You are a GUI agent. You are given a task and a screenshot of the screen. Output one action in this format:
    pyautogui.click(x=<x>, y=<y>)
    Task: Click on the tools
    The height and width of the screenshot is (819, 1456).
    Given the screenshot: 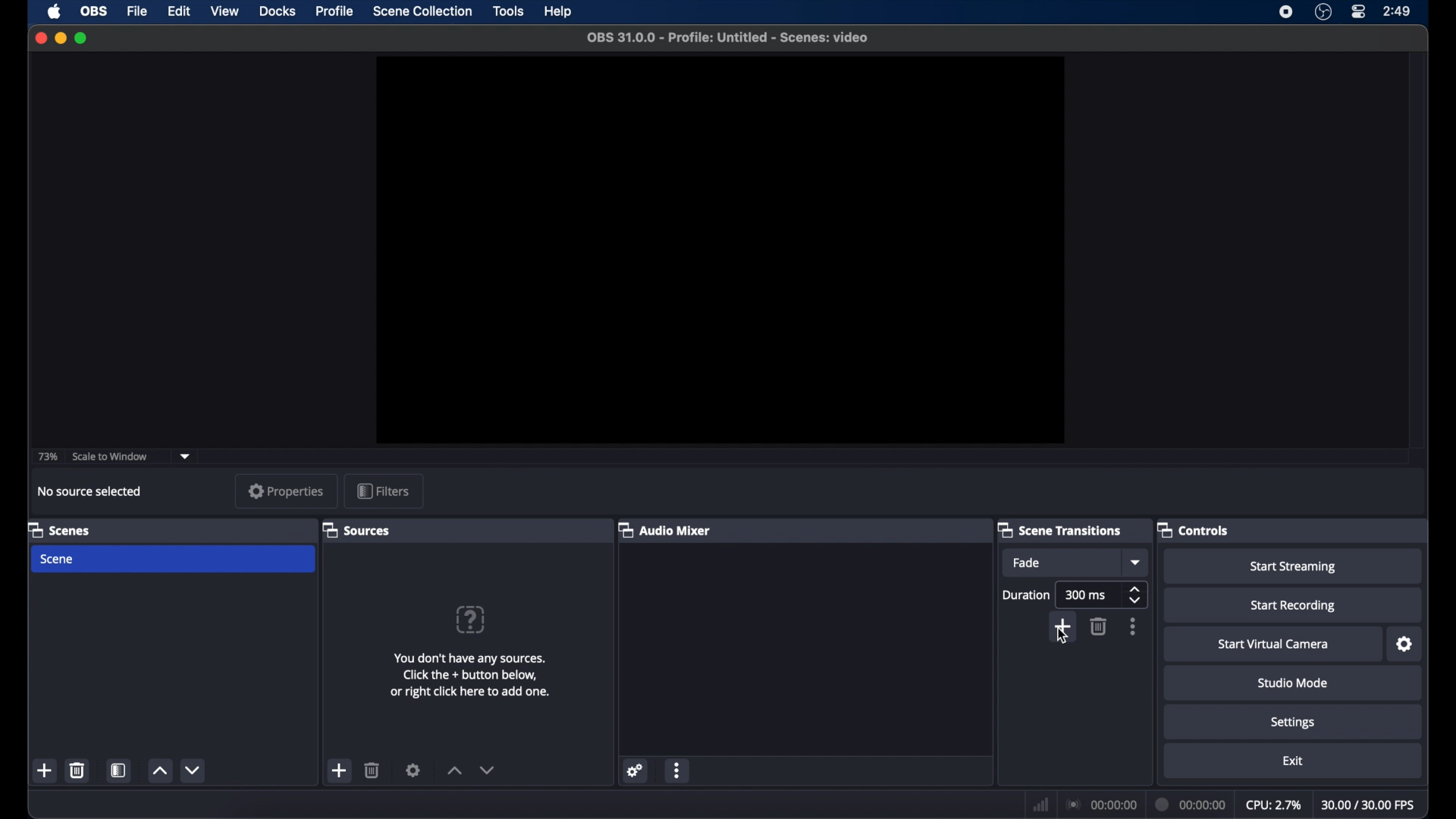 What is the action you would take?
    pyautogui.click(x=509, y=11)
    